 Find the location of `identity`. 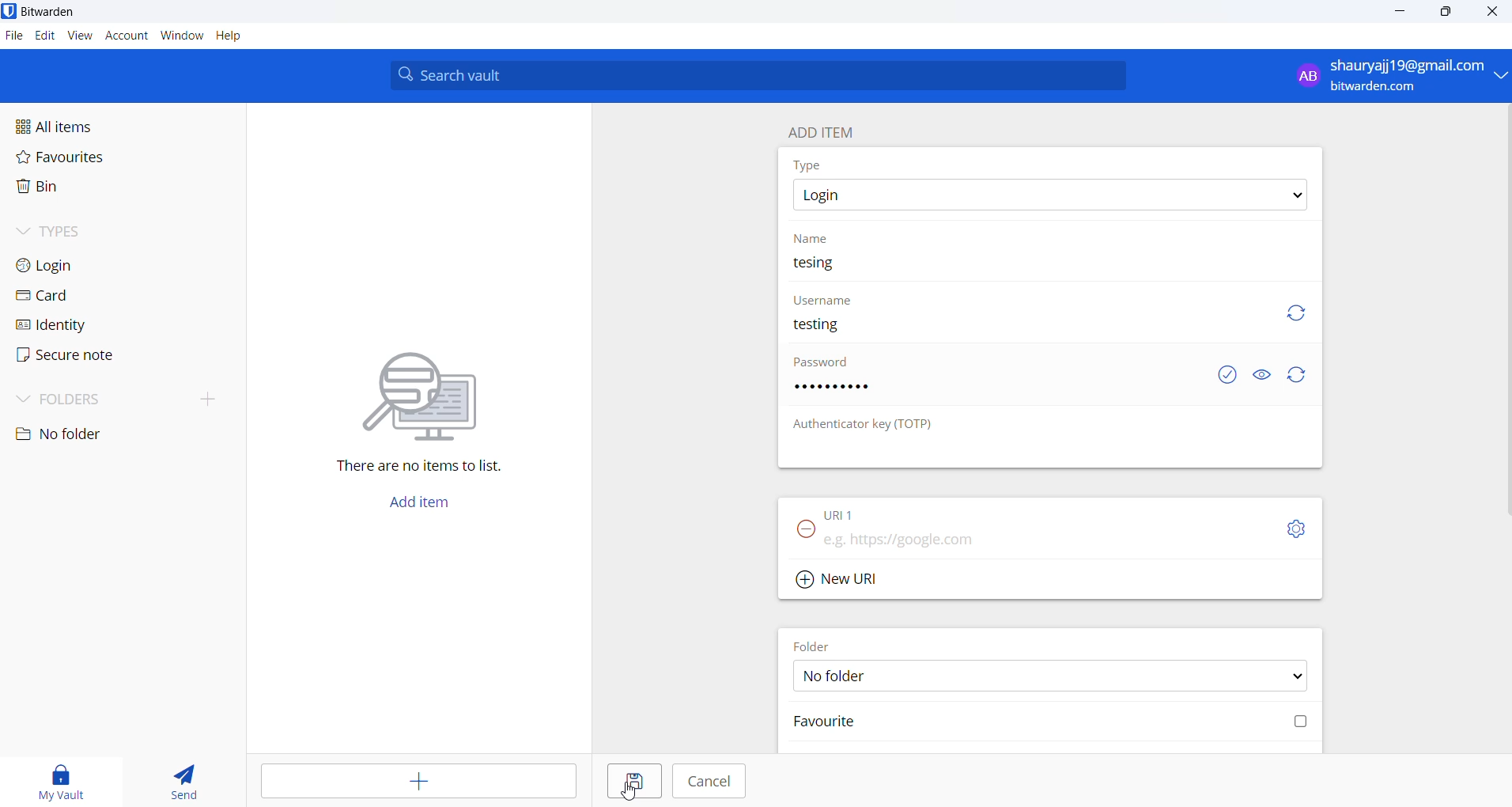

identity is located at coordinates (89, 325).